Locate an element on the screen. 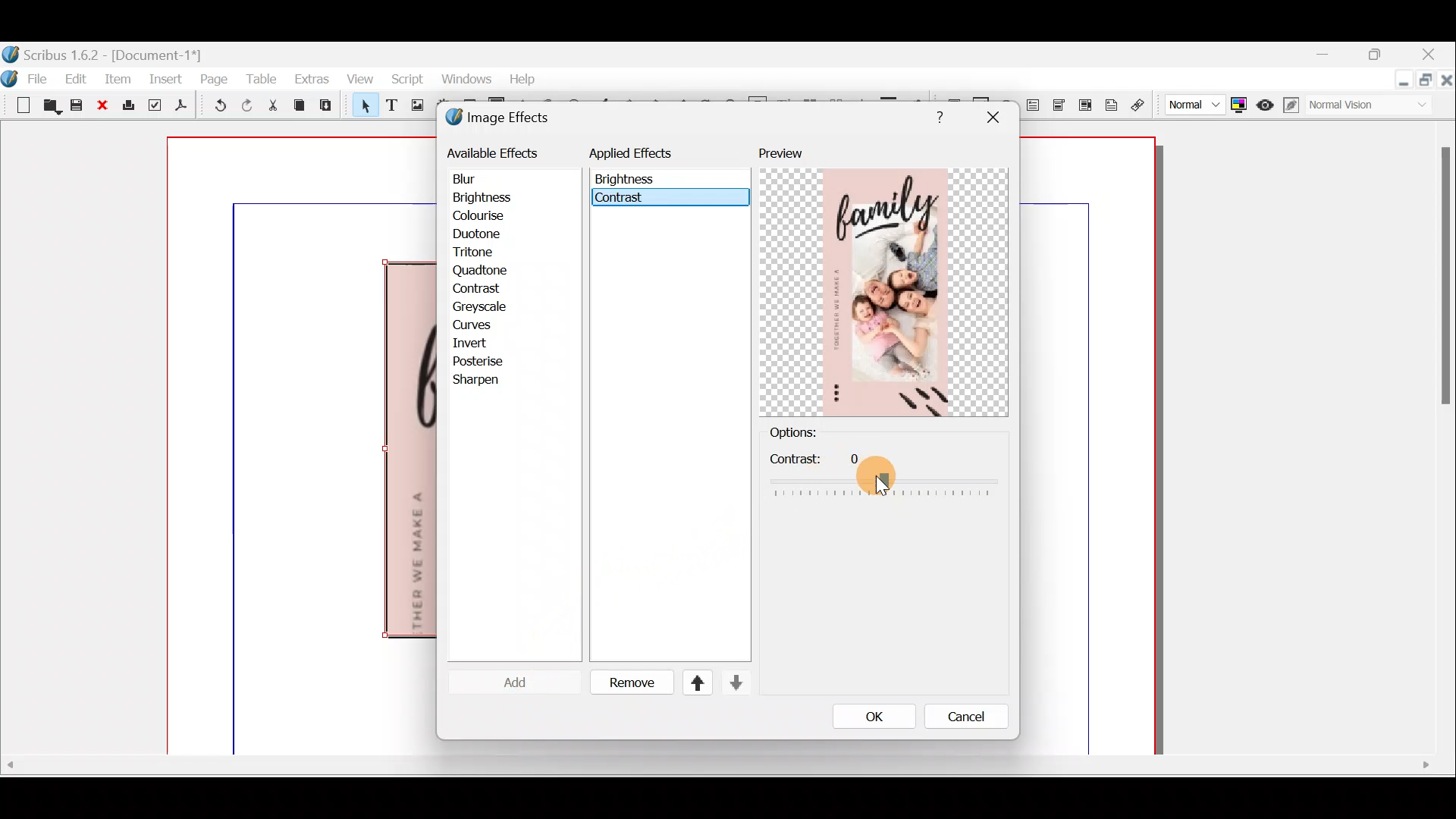 This screenshot has width=1456, height=819. Tritone is located at coordinates (480, 254).